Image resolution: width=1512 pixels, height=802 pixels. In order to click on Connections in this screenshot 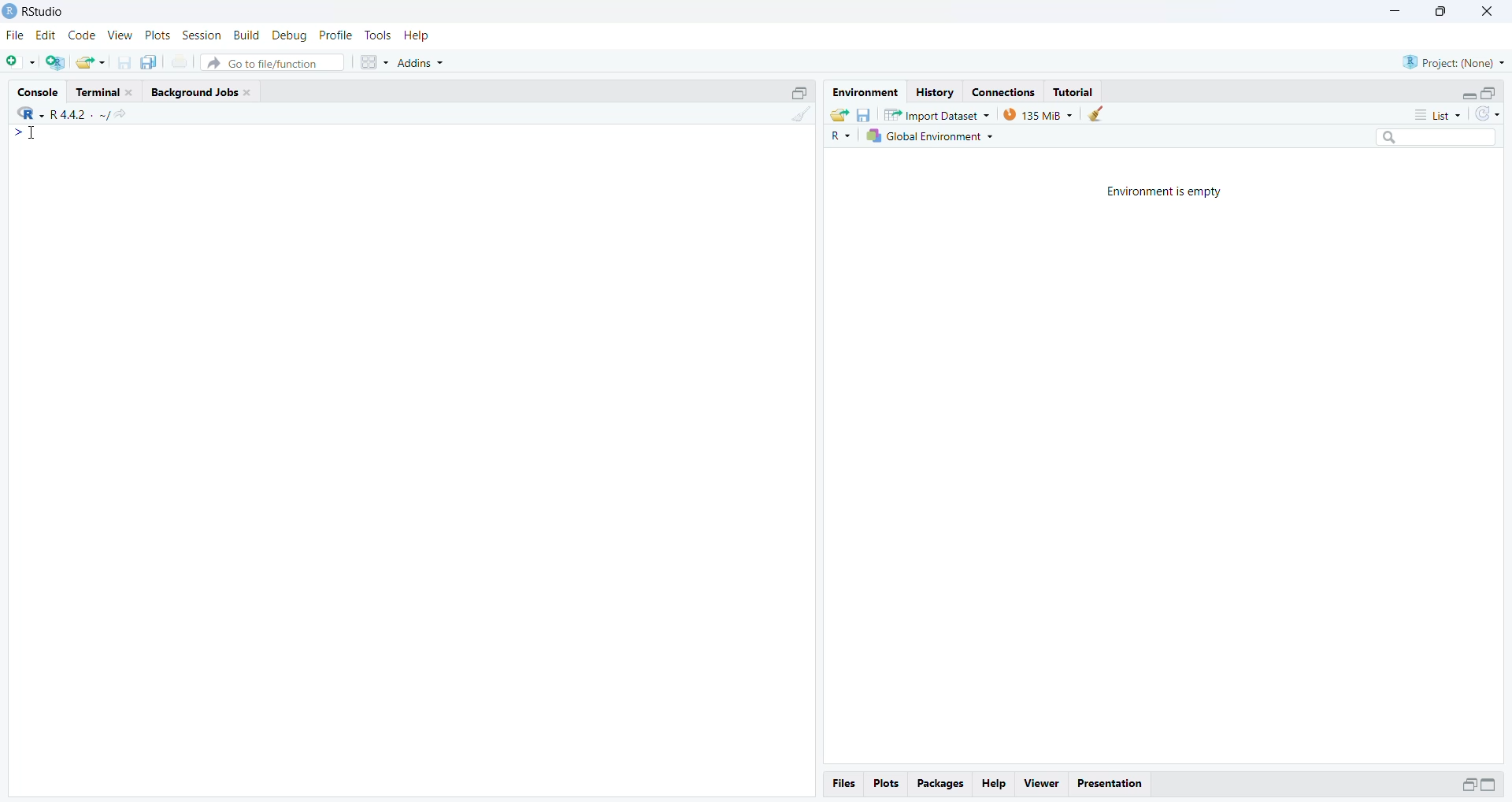, I will do `click(1002, 91)`.